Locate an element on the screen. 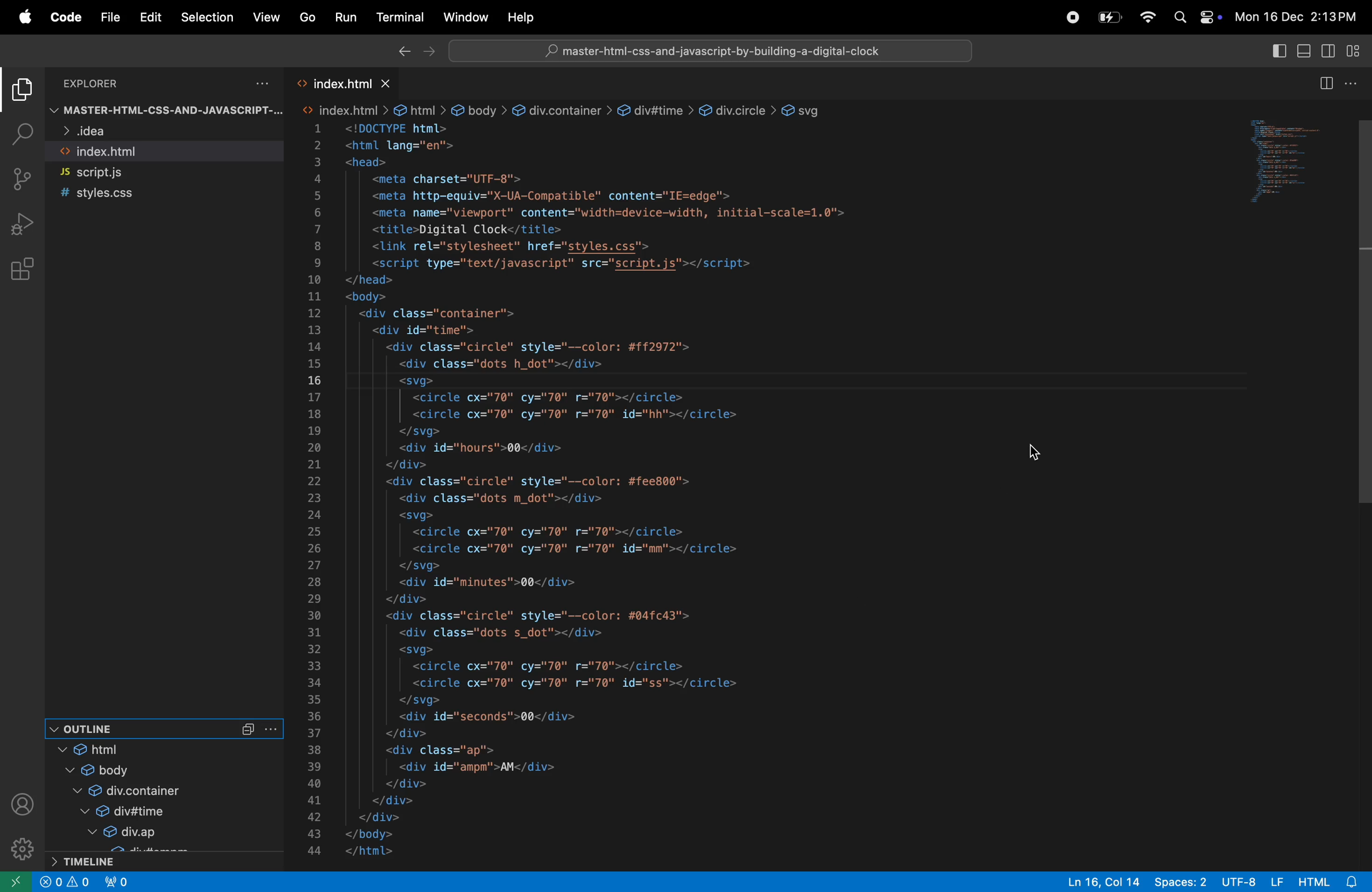  code is located at coordinates (63, 18).